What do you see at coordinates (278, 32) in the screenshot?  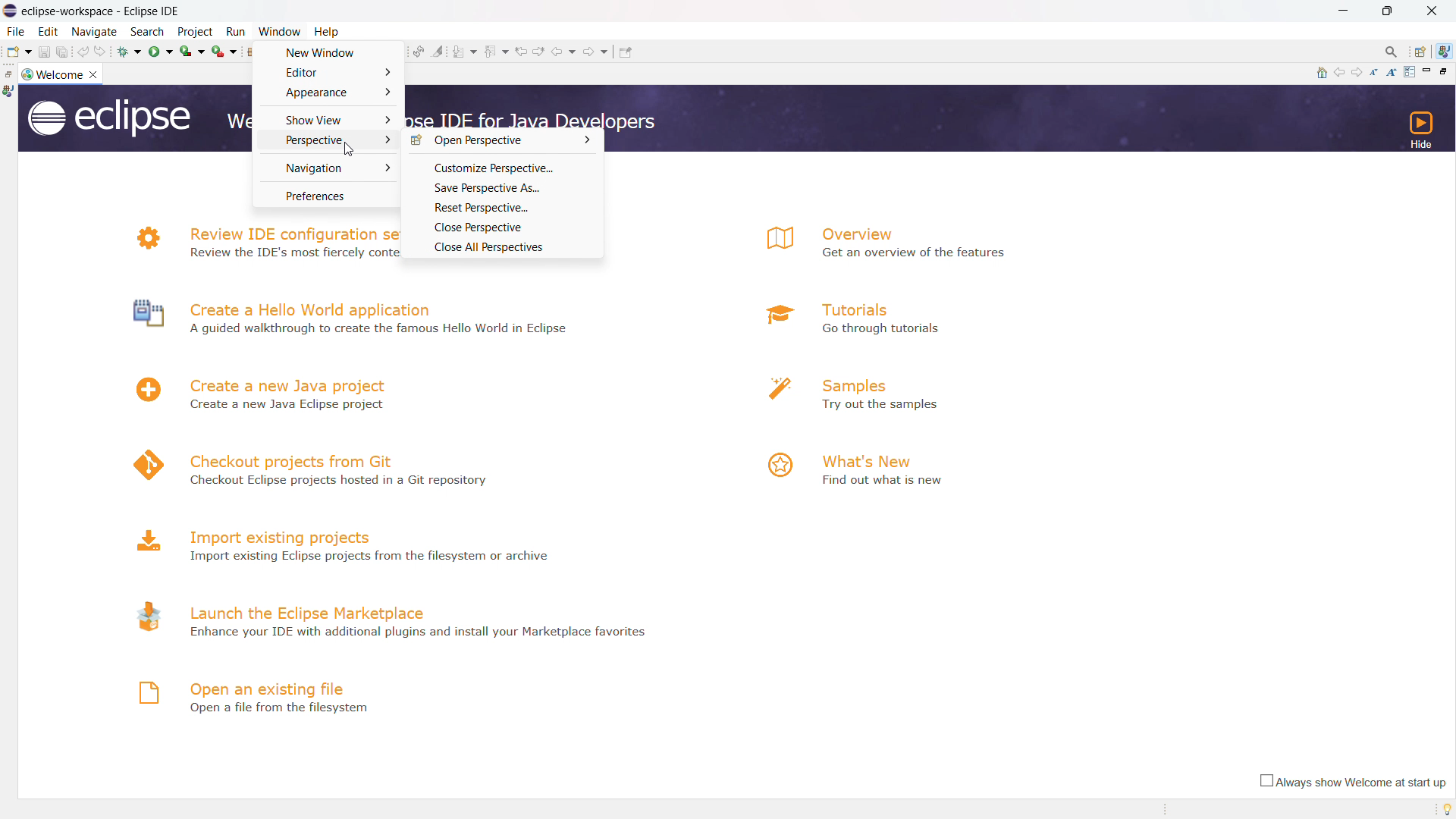 I see `window` at bounding box center [278, 32].